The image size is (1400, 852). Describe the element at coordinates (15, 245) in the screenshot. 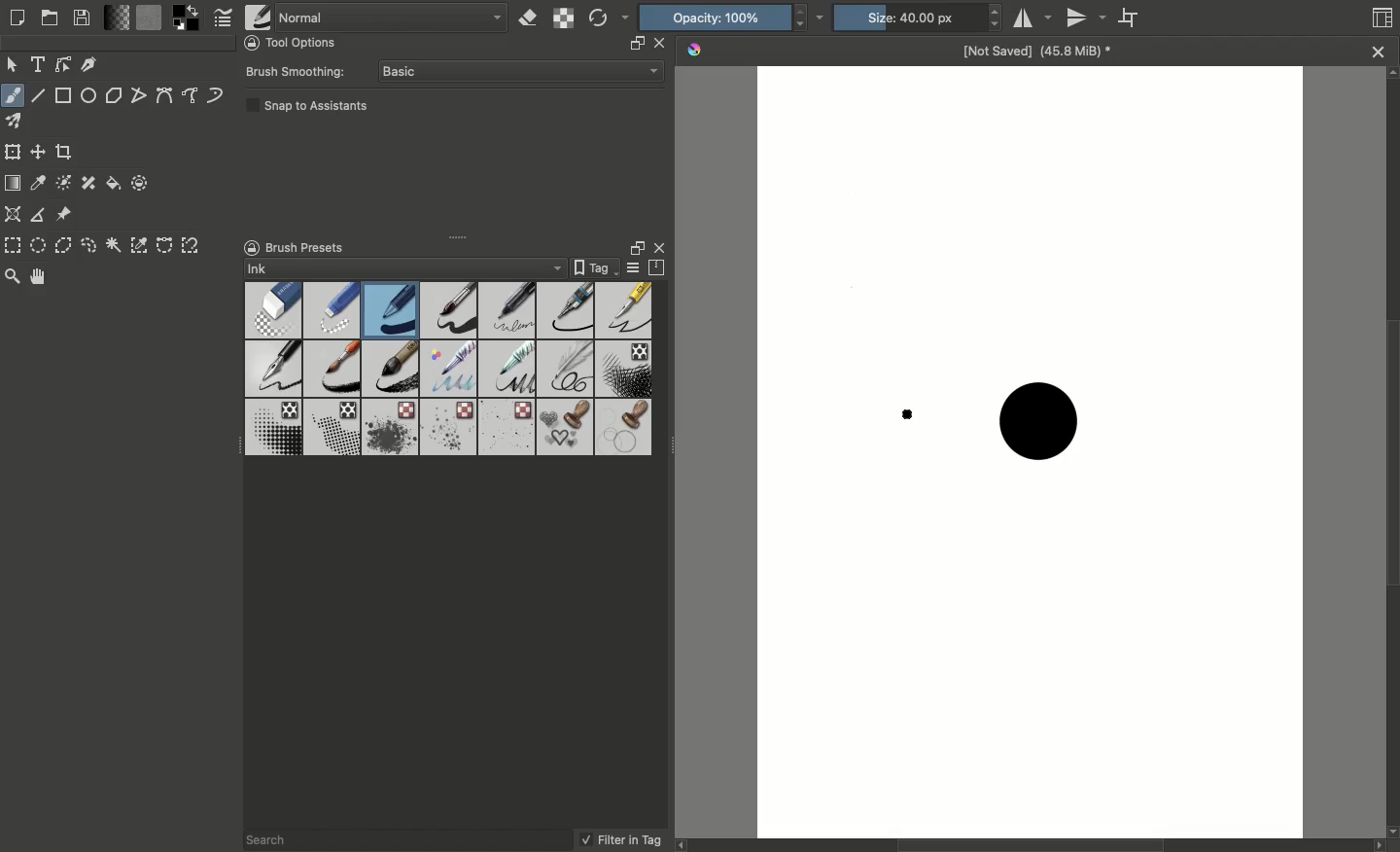

I see `Rectangular selection tool` at that location.